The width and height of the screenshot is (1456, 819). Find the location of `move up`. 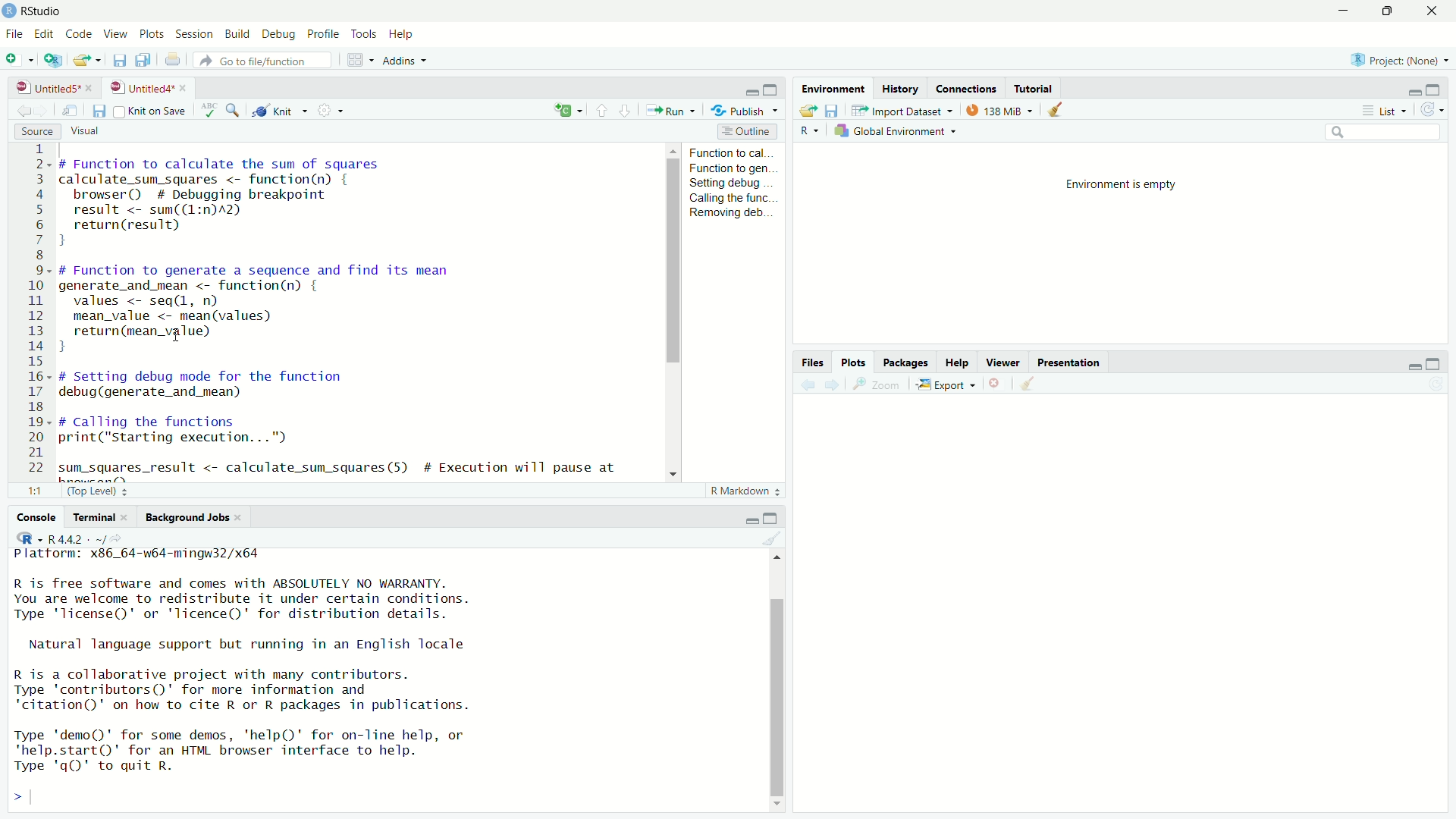

move up is located at coordinates (777, 560).